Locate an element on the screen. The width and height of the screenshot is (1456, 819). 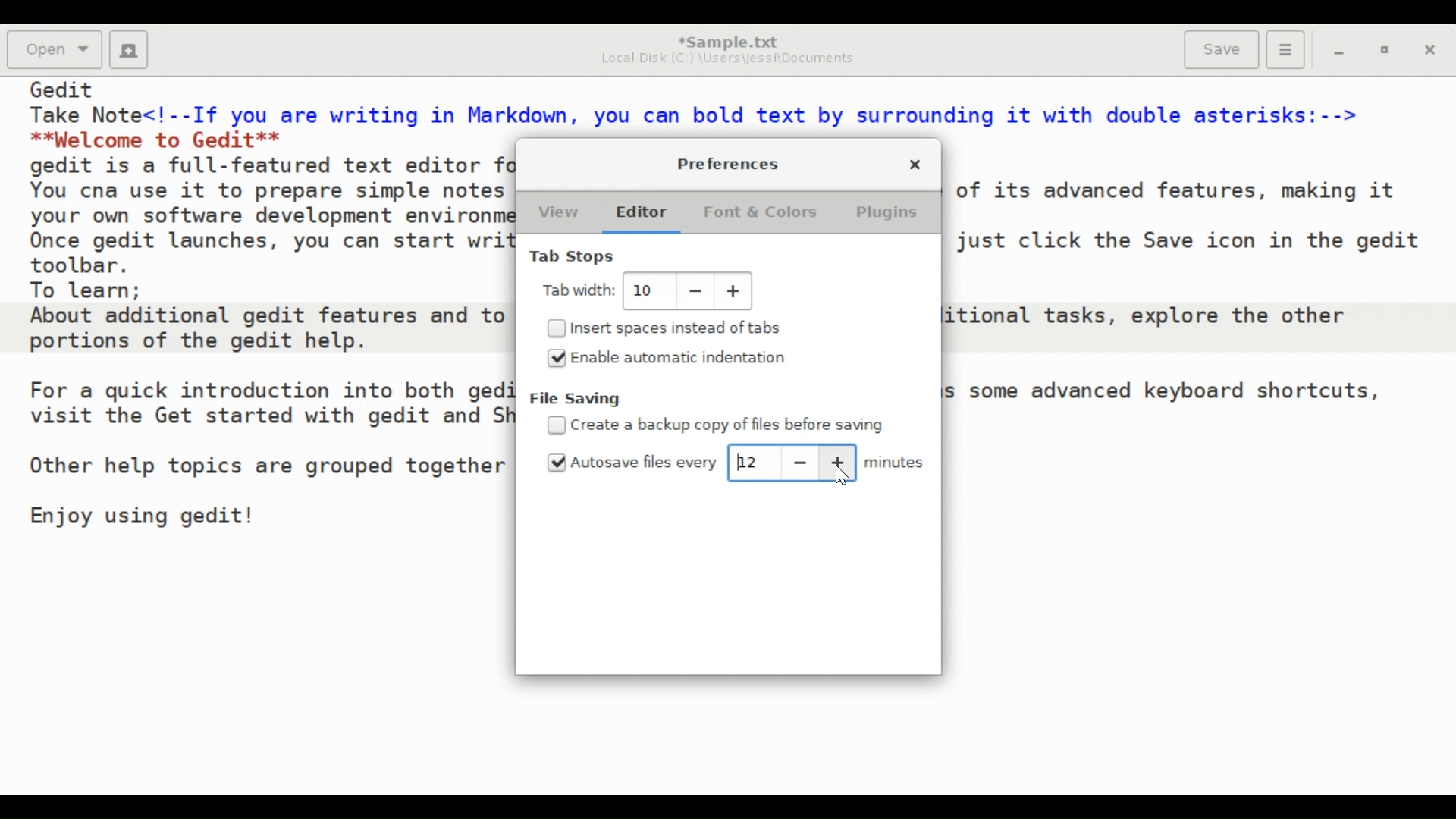
(un)select Insert Spaces instead of tabs is located at coordinates (665, 328).